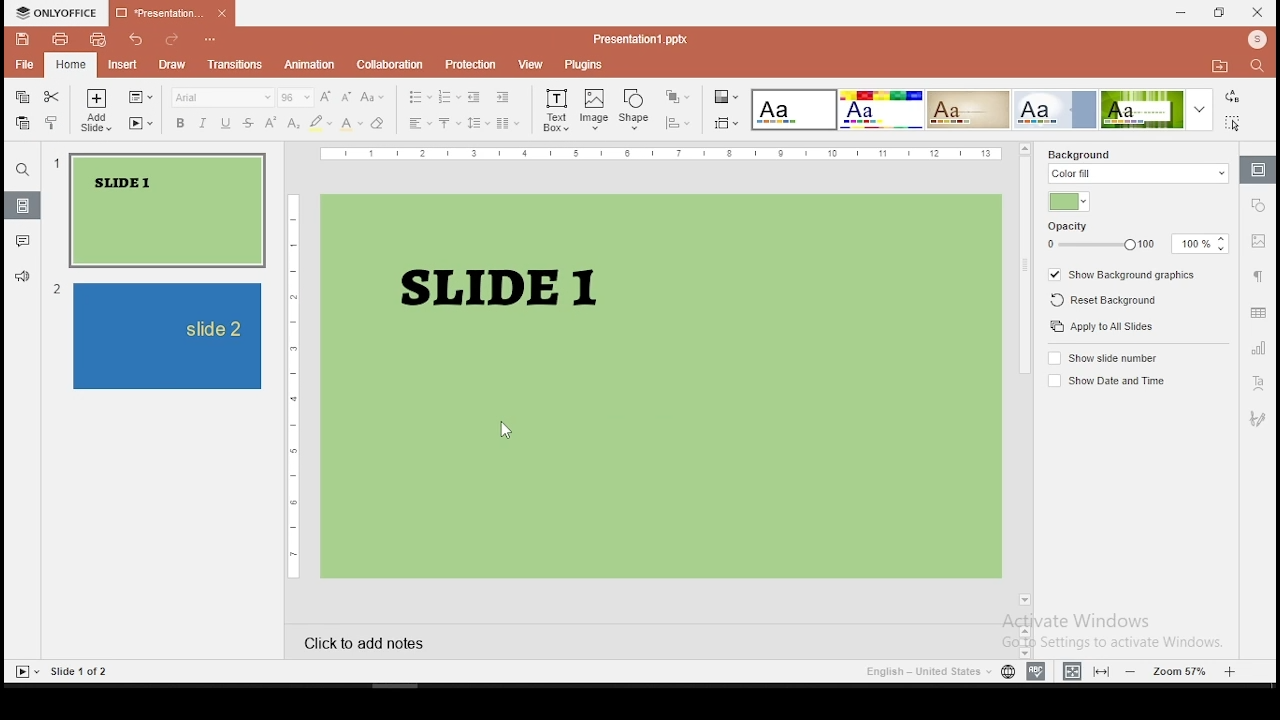  Describe the element at coordinates (159, 336) in the screenshot. I see `slide 2 preview` at that location.